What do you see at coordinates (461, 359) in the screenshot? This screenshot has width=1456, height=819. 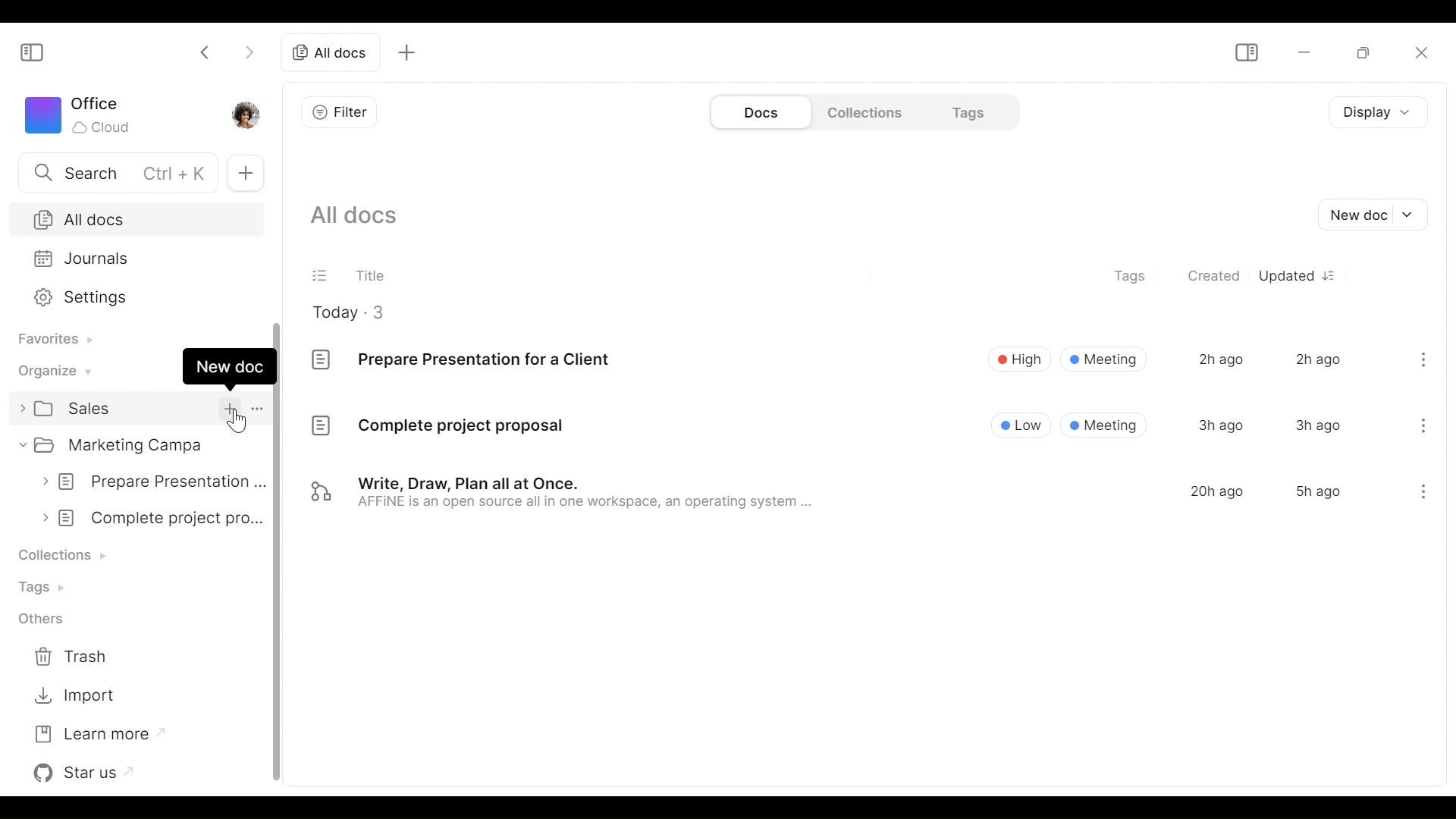 I see ` Prepare Presentation for a Client` at bounding box center [461, 359].